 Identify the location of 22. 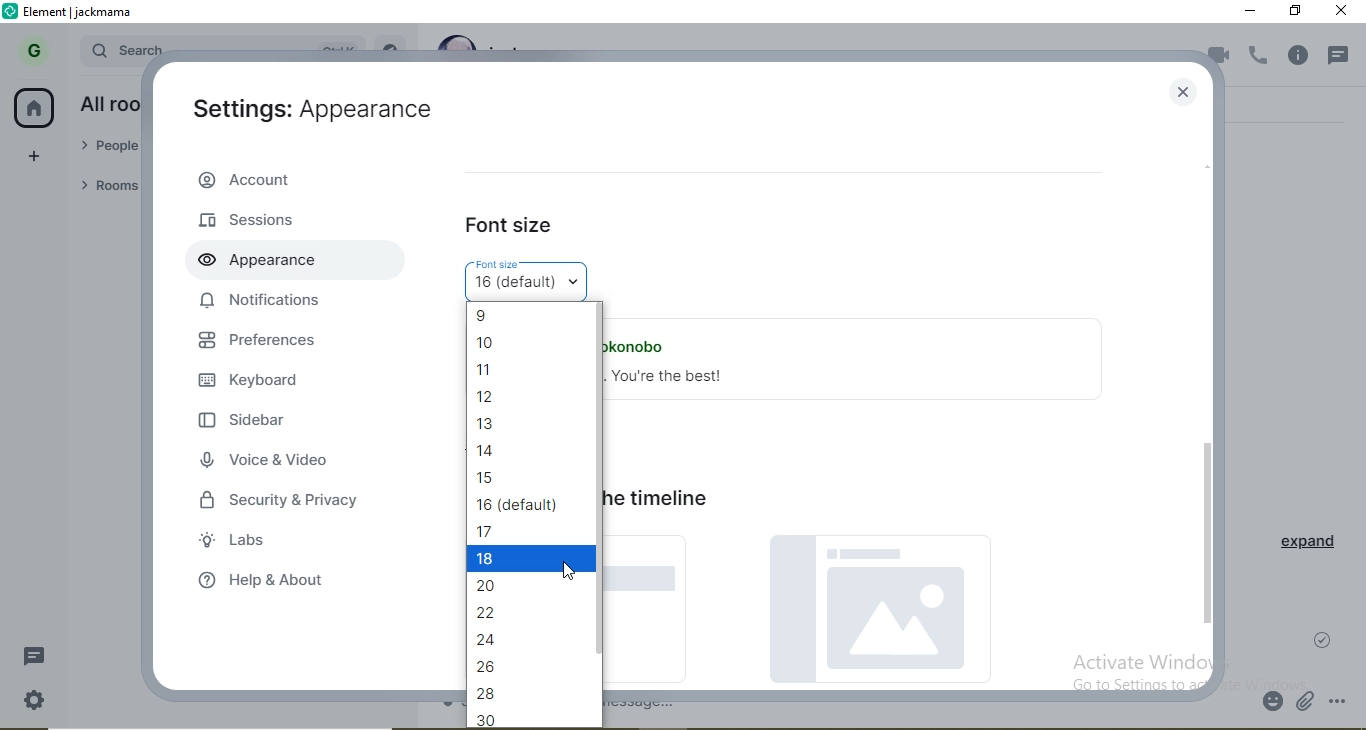
(520, 612).